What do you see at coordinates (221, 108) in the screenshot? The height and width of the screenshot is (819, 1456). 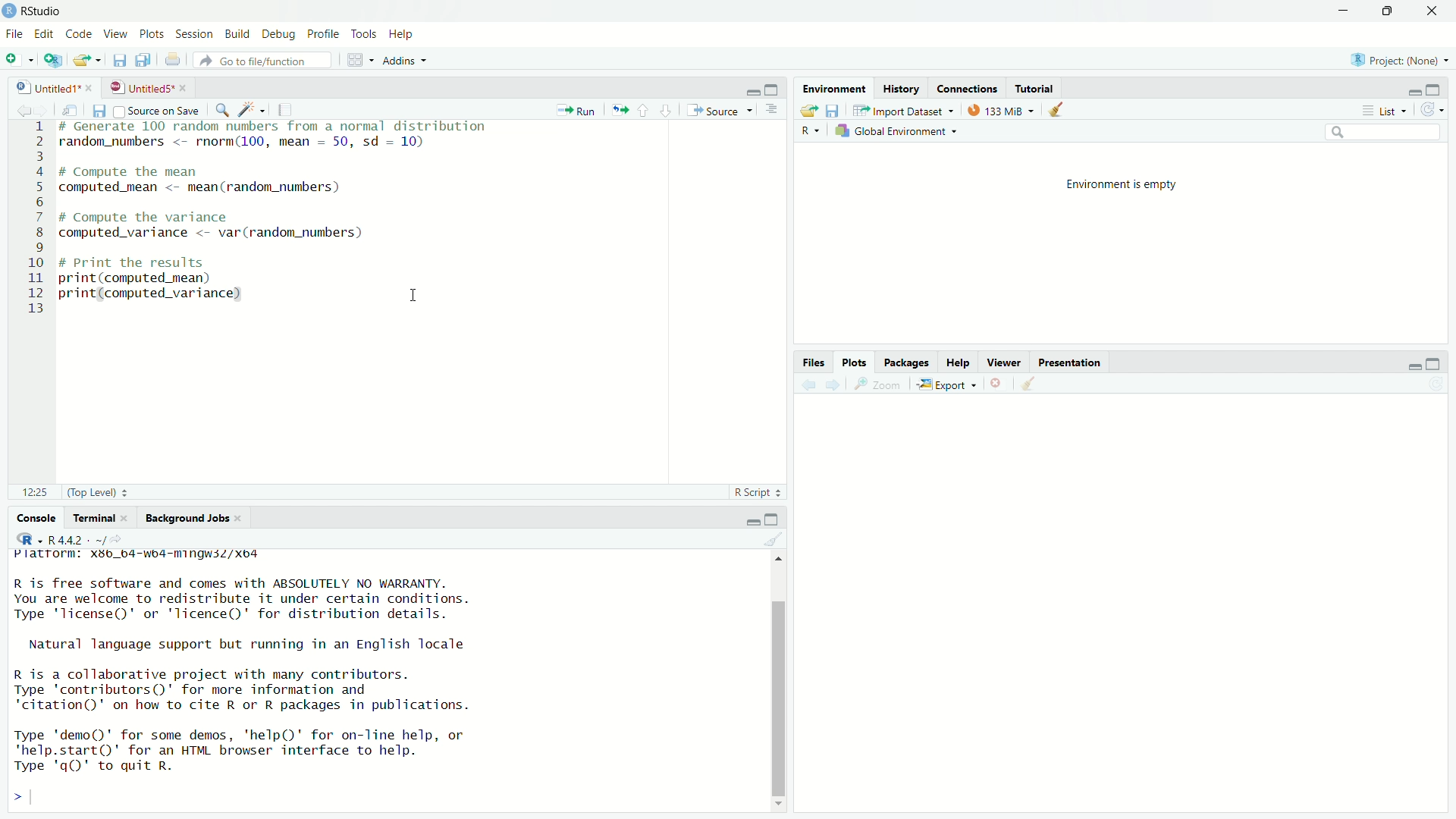 I see `find/replace` at bounding box center [221, 108].